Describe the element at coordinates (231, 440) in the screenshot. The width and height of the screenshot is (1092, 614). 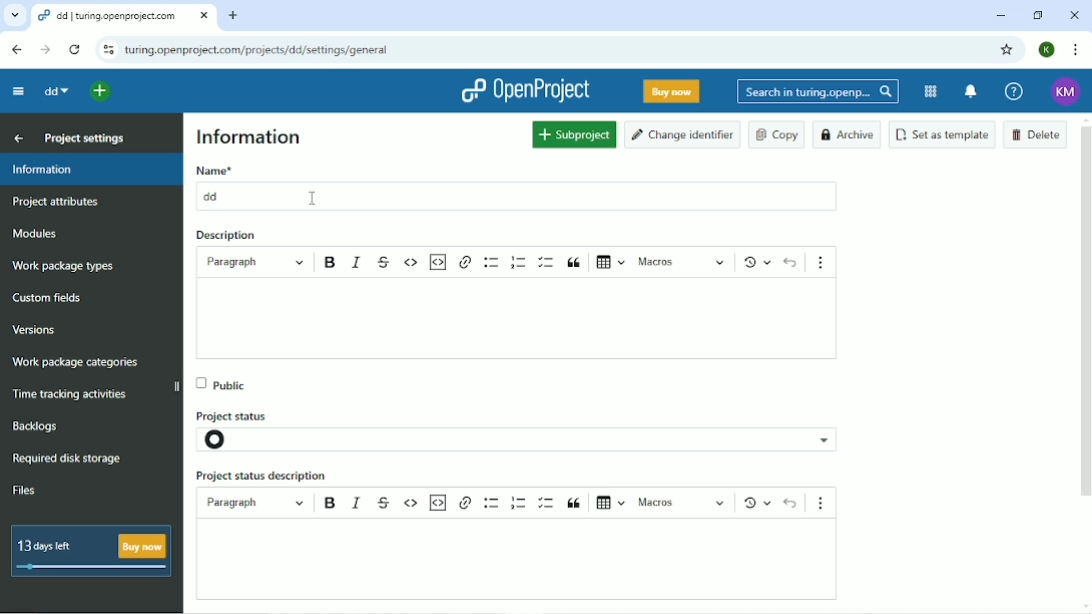
I see `project status icon- not set` at that location.